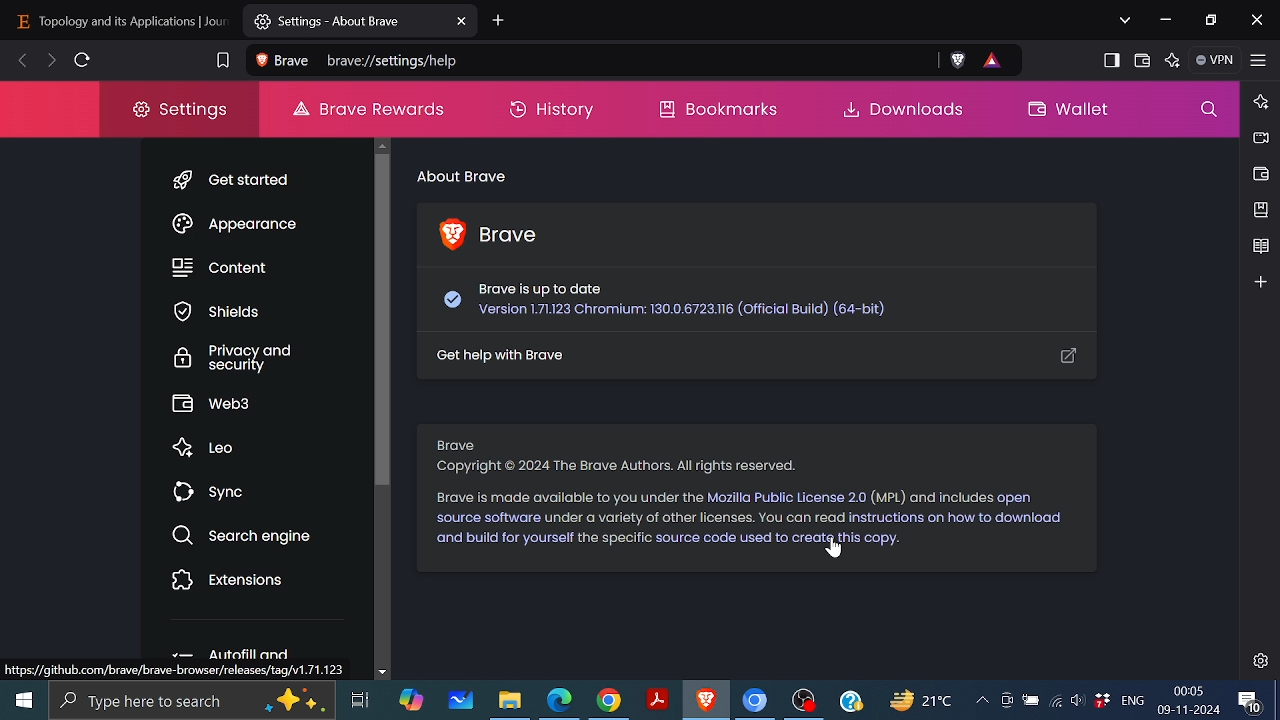  What do you see at coordinates (237, 655) in the screenshot?
I see `Autofill and passwords` at bounding box center [237, 655].